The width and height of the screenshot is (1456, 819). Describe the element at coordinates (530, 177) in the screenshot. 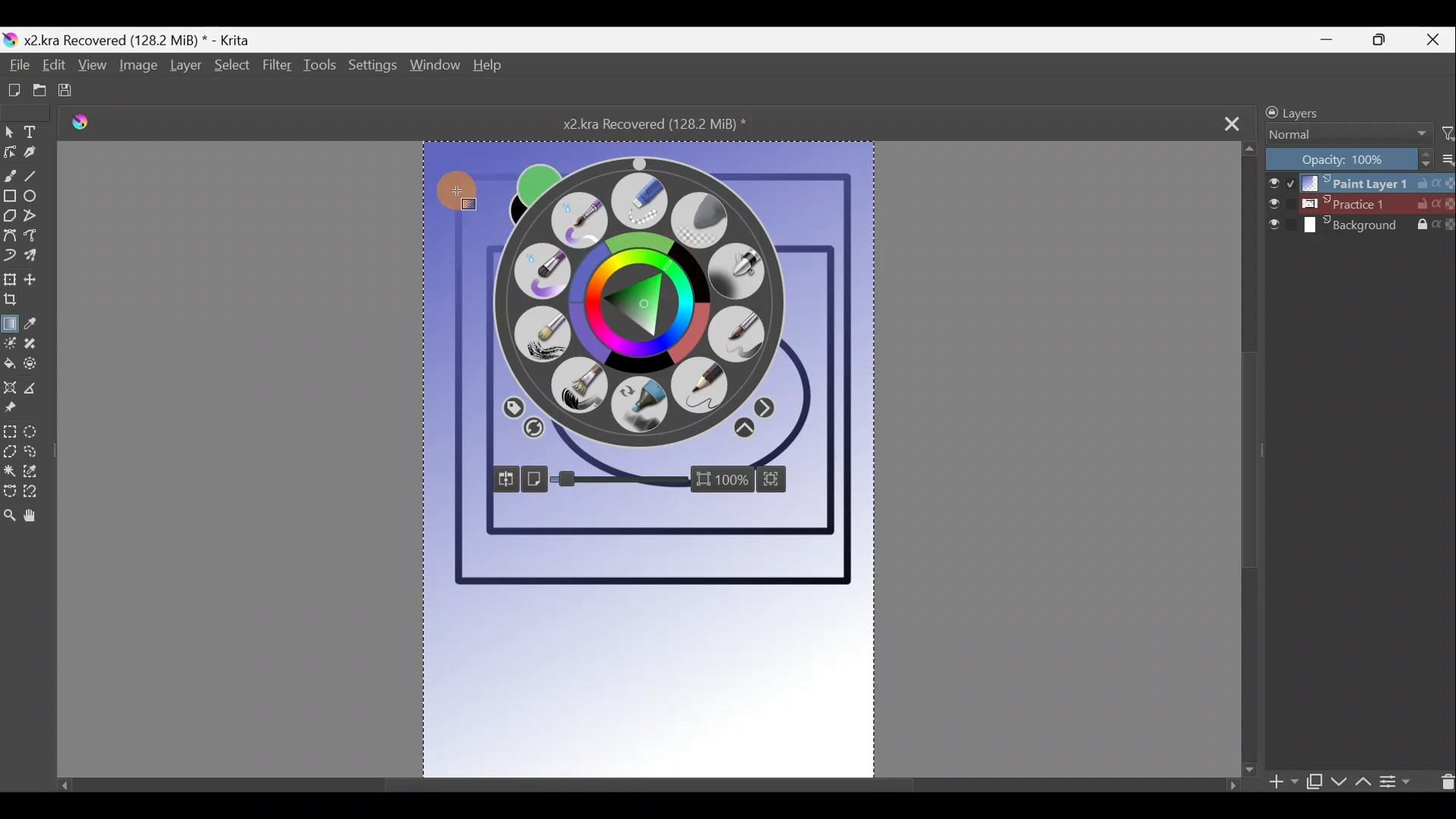

I see `Click to swap foreground & background colours` at that location.